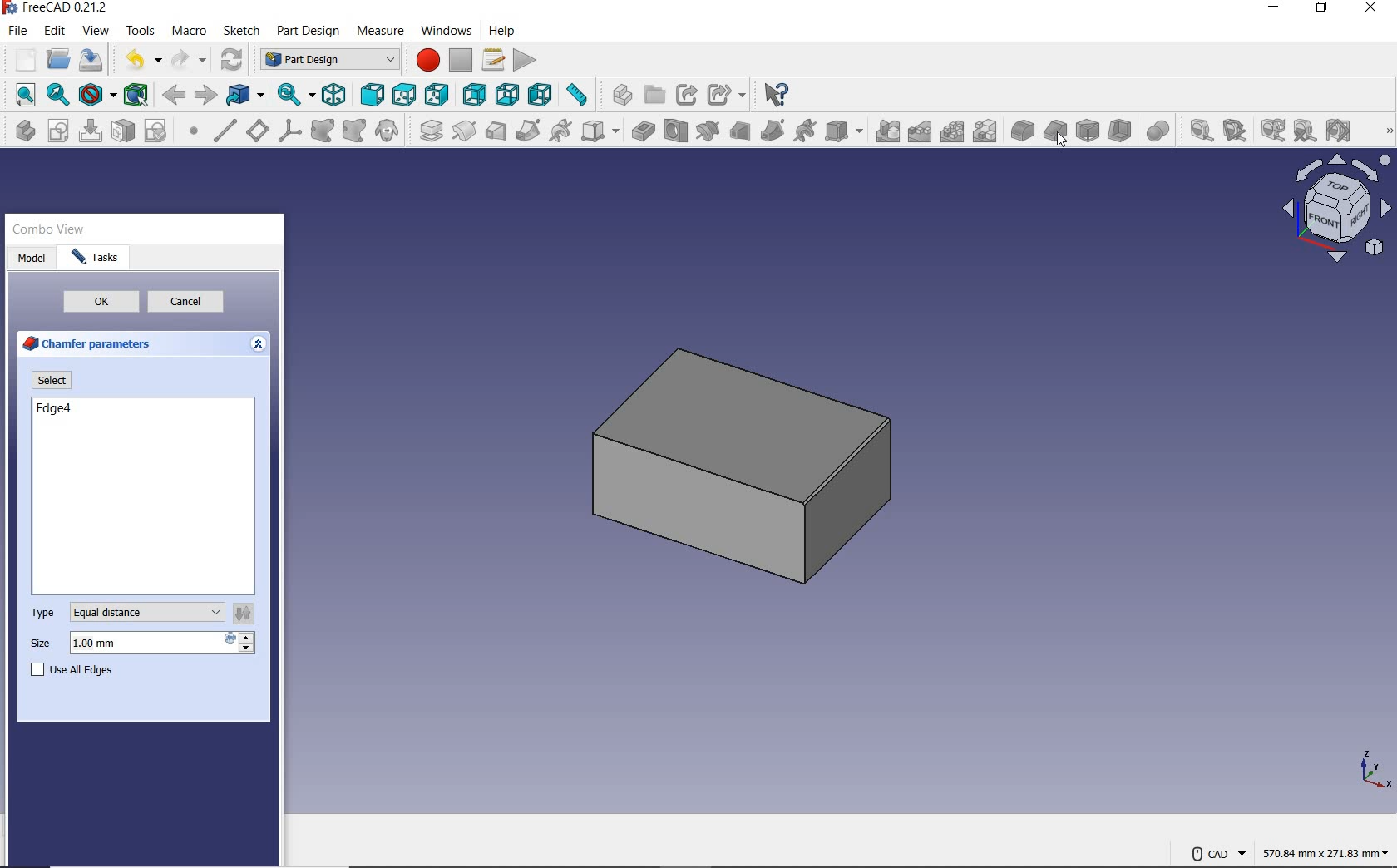  Describe the element at coordinates (476, 94) in the screenshot. I see `rear` at that location.